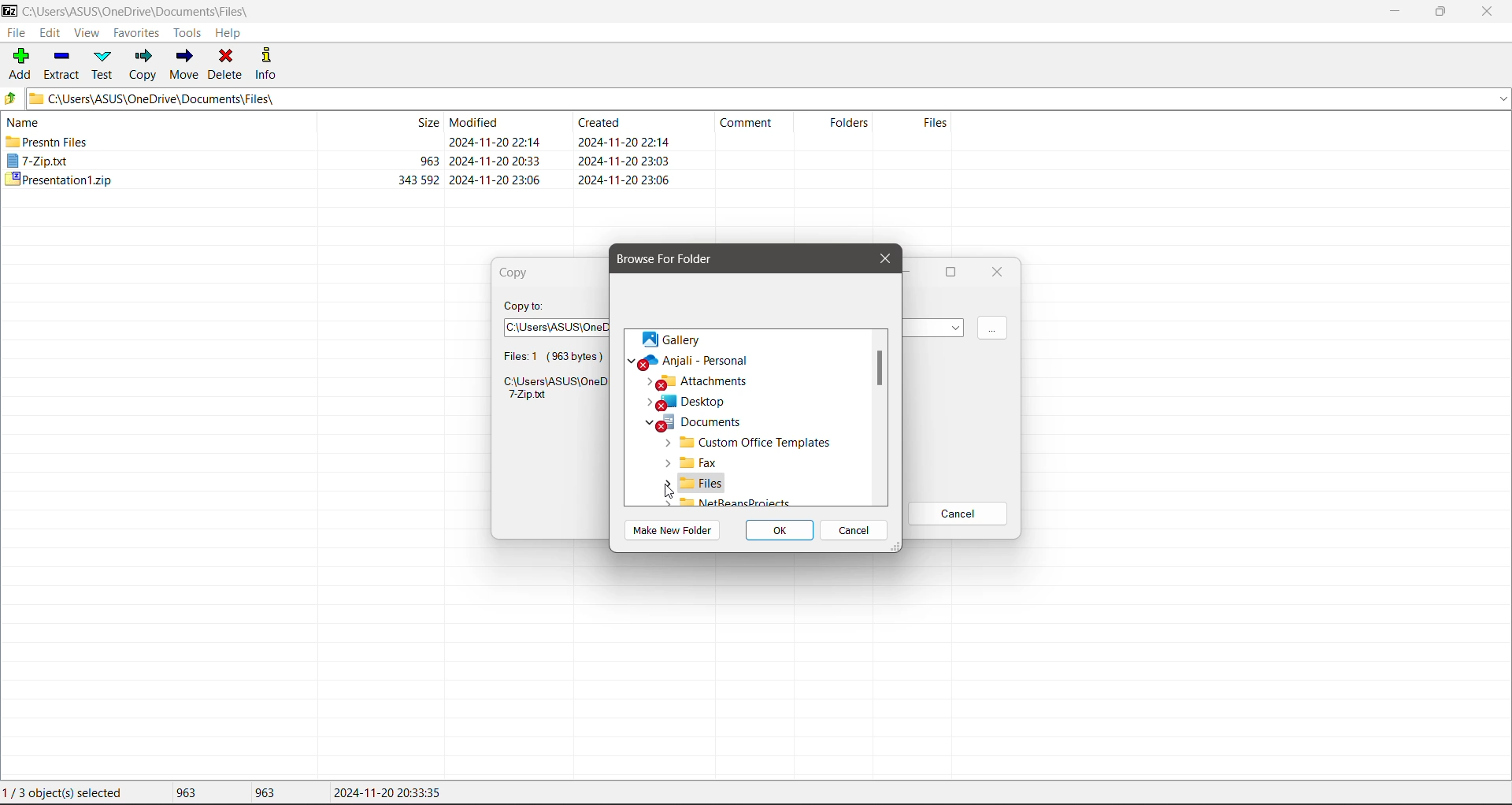 The width and height of the screenshot is (1512, 805). I want to click on Move Up one level, so click(10, 98).